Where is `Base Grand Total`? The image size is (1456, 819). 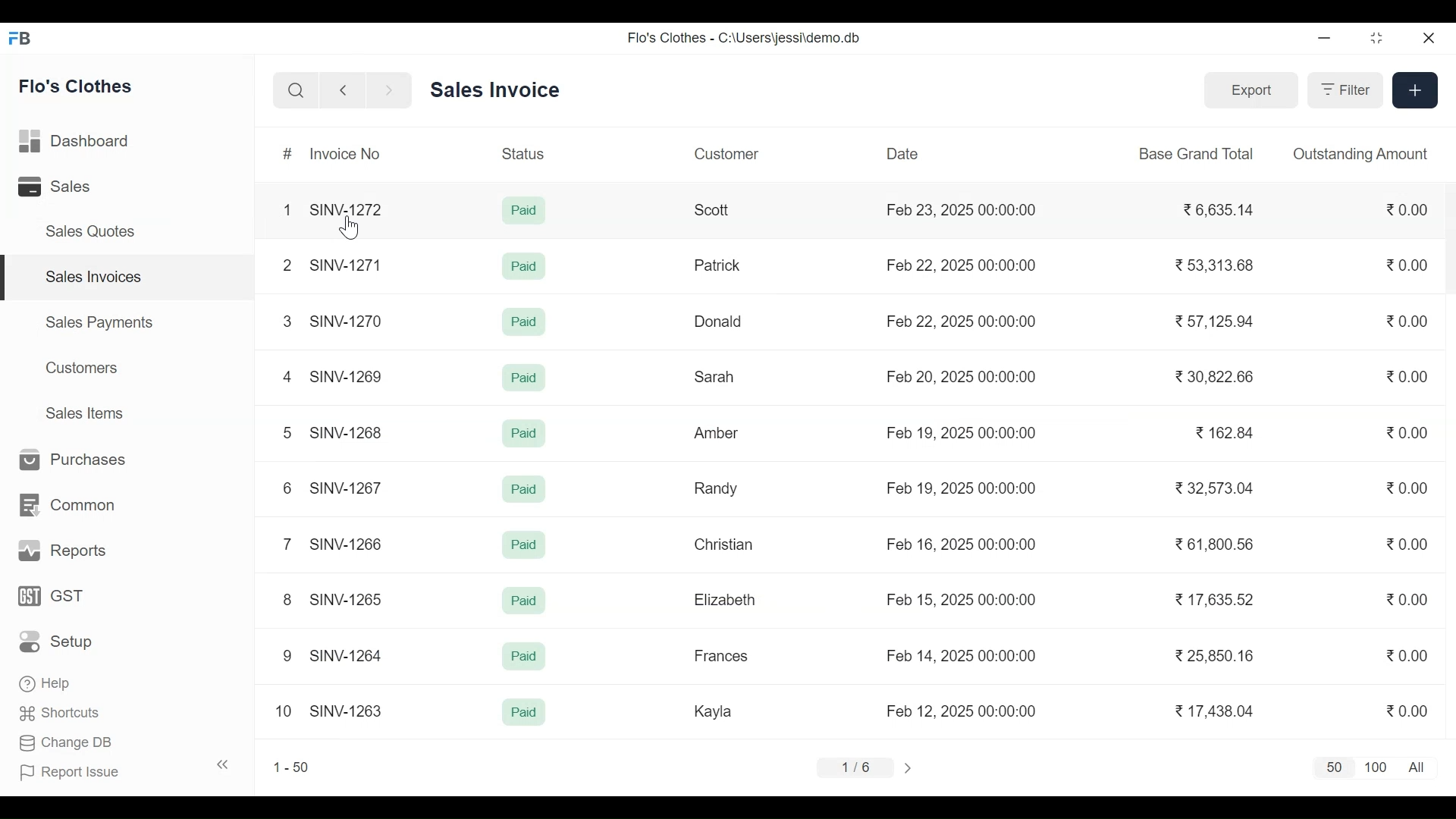
Base Grand Total is located at coordinates (1197, 154).